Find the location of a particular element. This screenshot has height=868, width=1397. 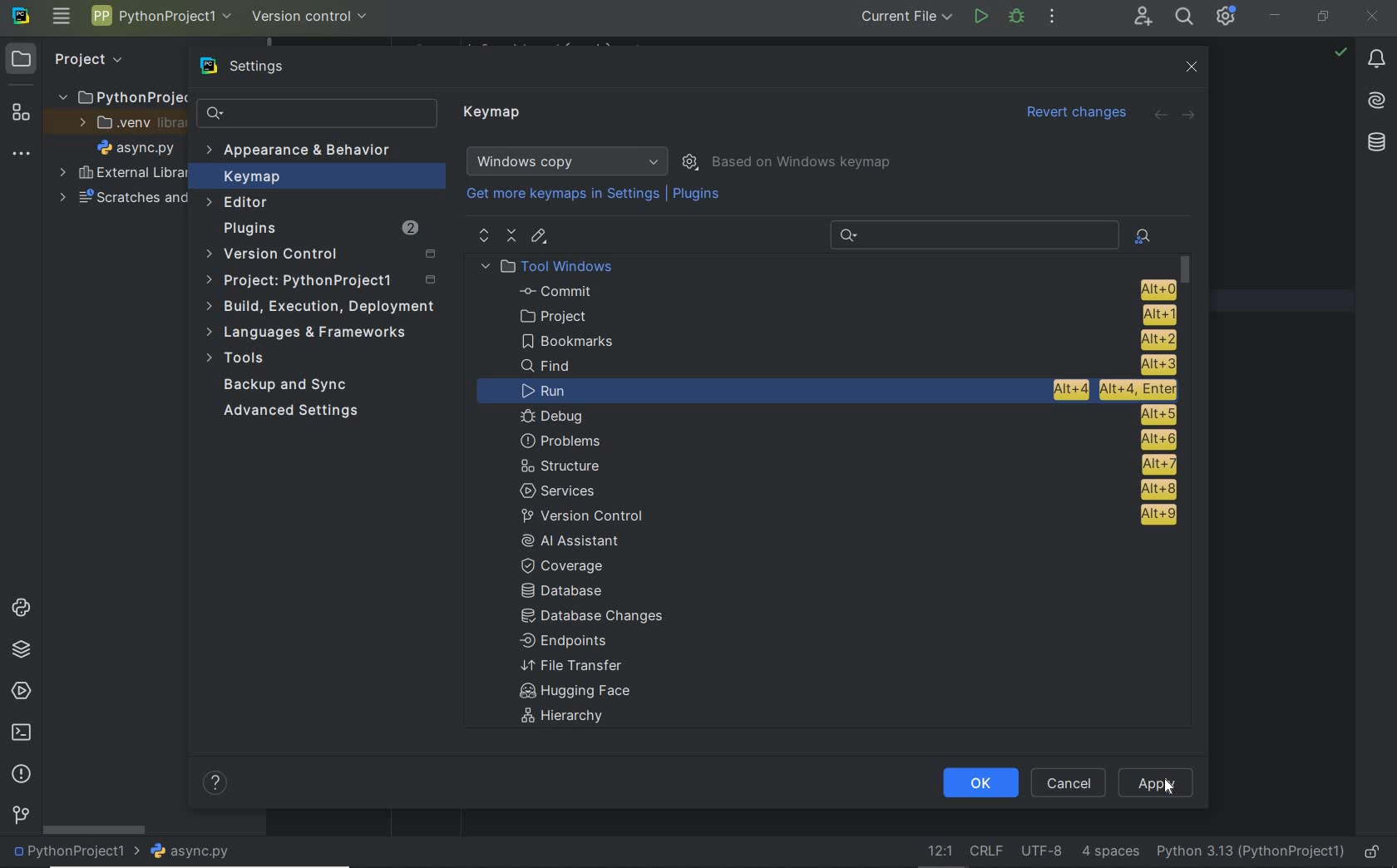

Backup and Sync is located at coordinates (287, 386).